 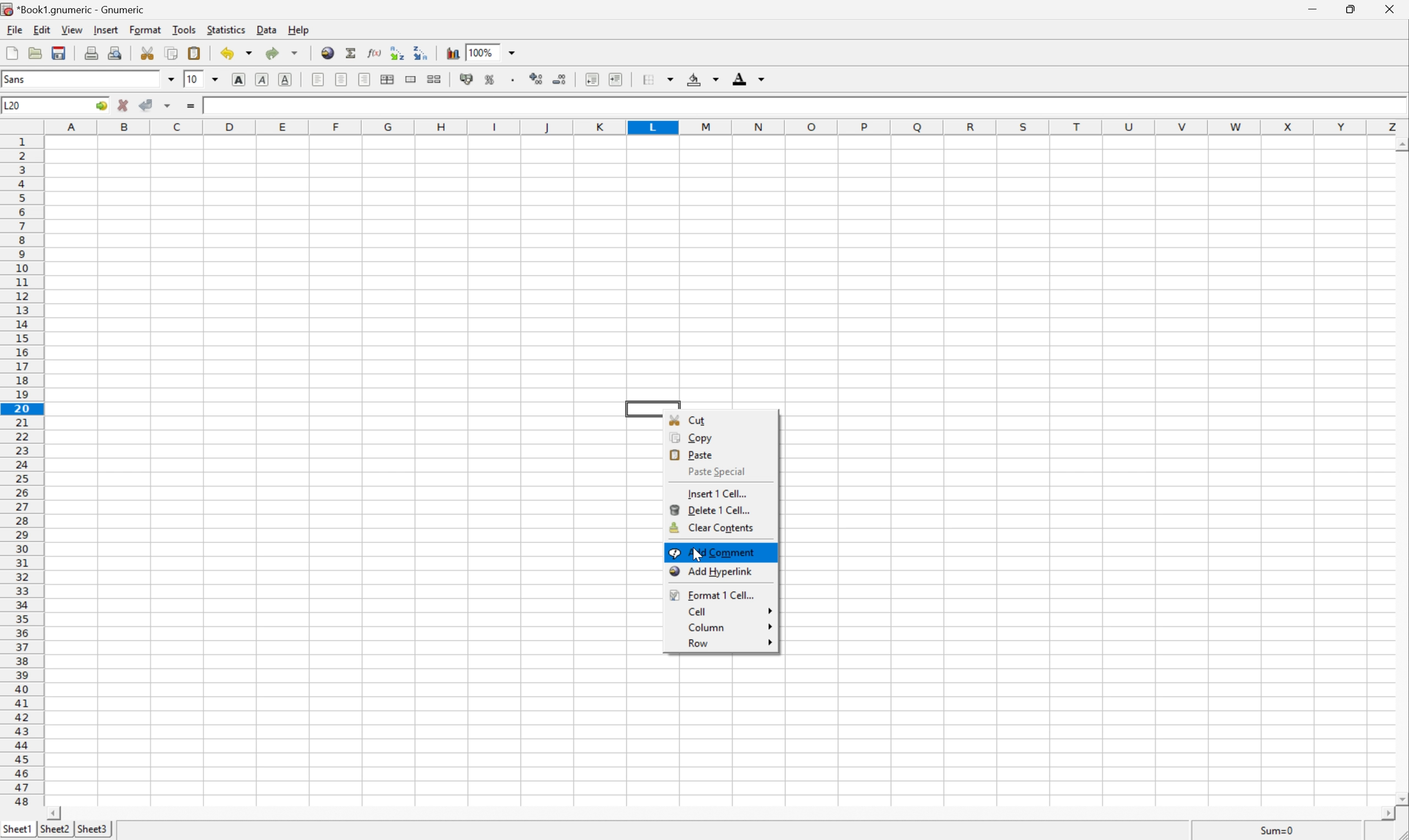 I want to click on File, so click(x=15, y=29).